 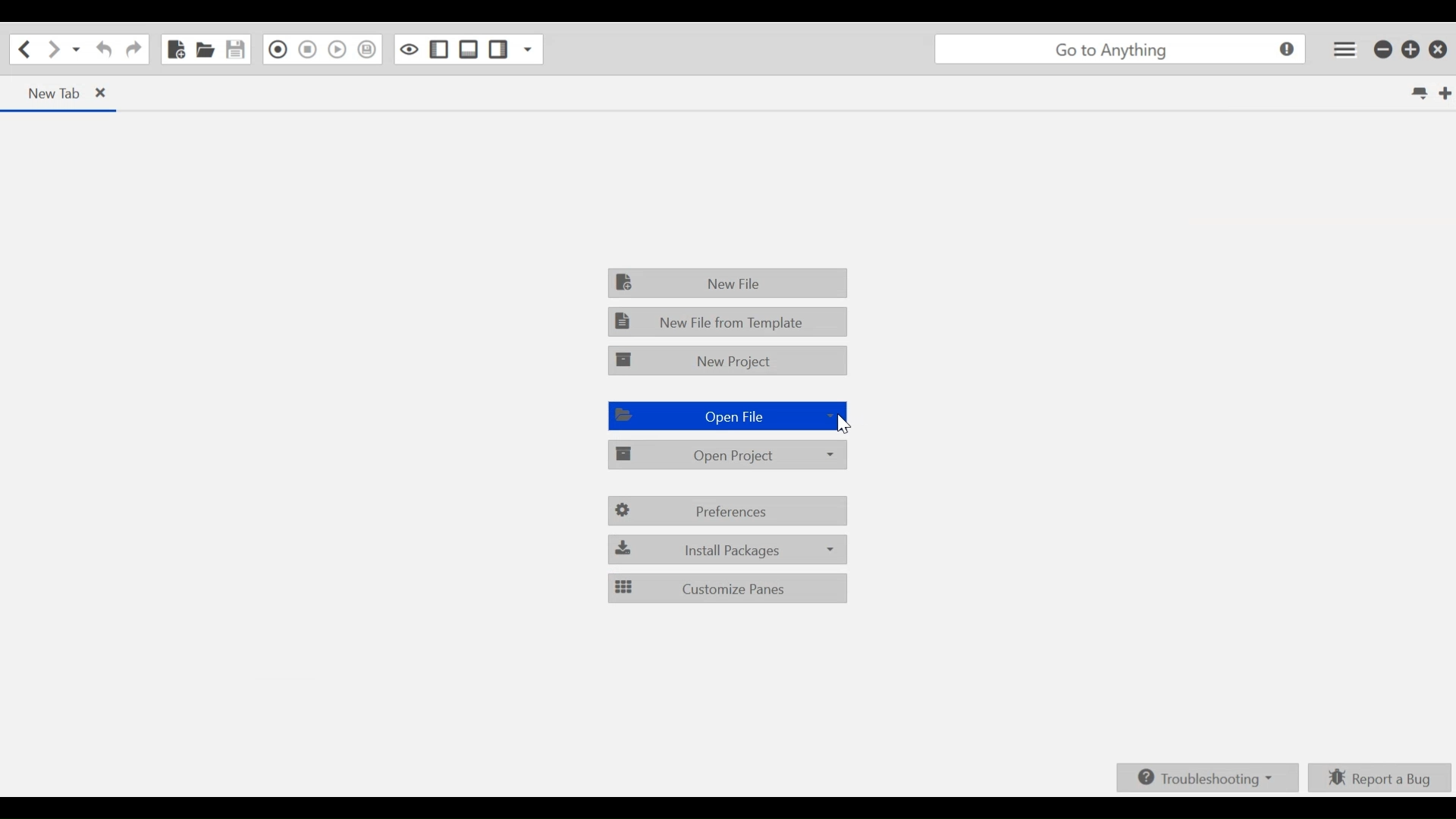 What do you see at coordinates (726, 456) in the screenshot?
I see `Open project` at bounding box center [726, 456].